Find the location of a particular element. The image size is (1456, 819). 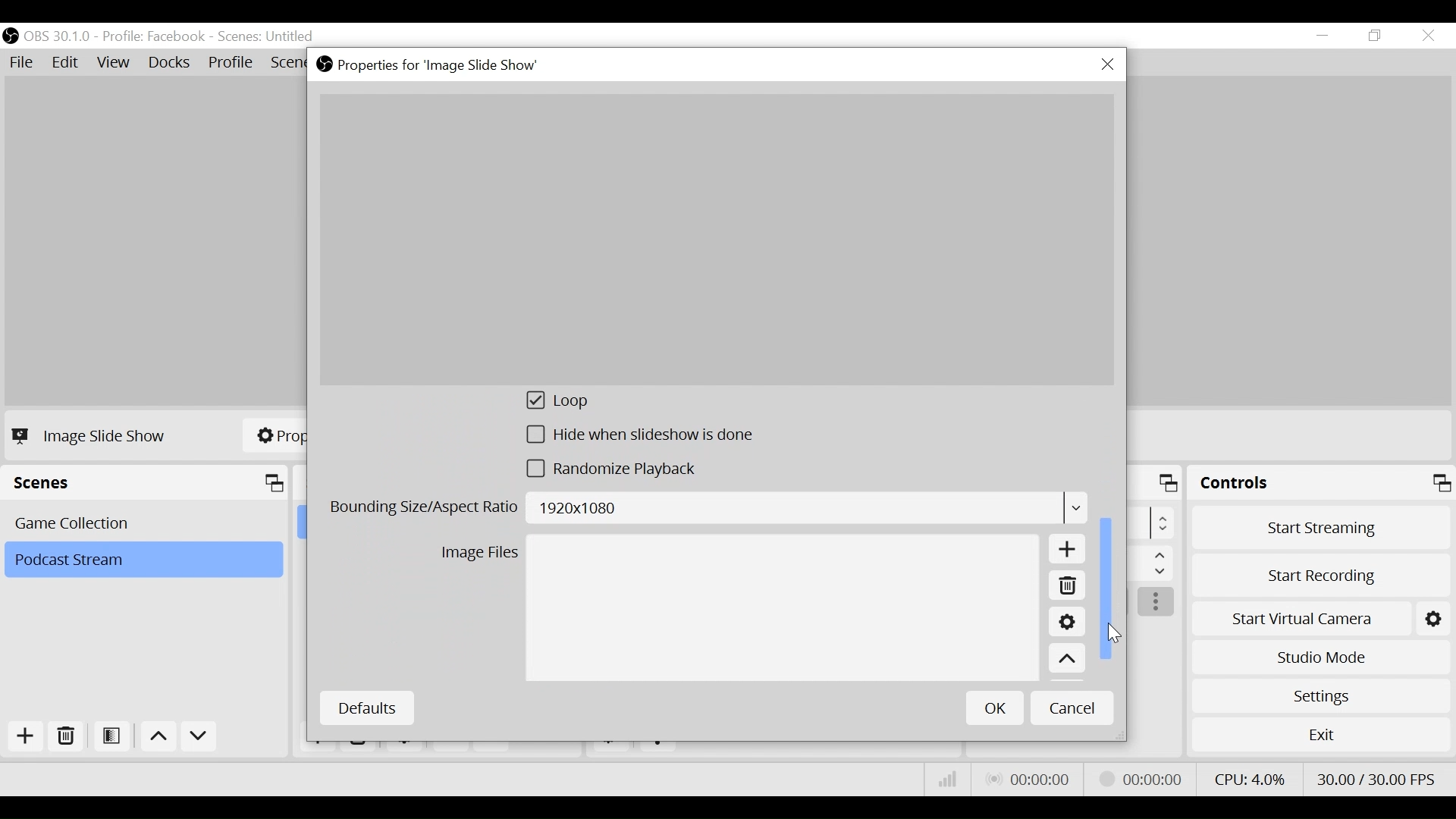

(un)select Hide slideshow is done is located at coordinates (641, 435).